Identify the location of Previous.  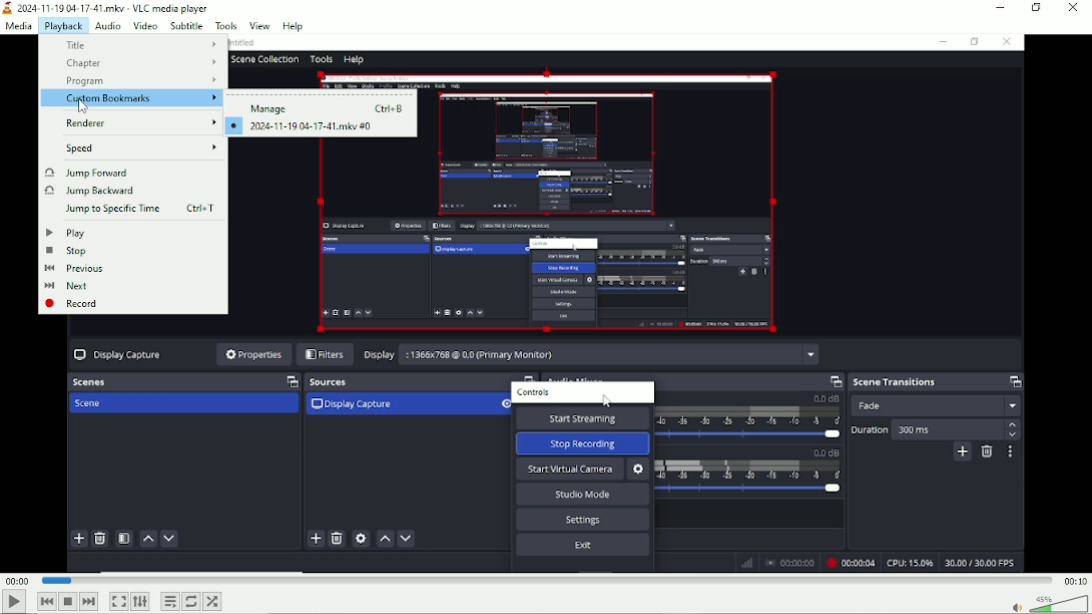
(47, 601).